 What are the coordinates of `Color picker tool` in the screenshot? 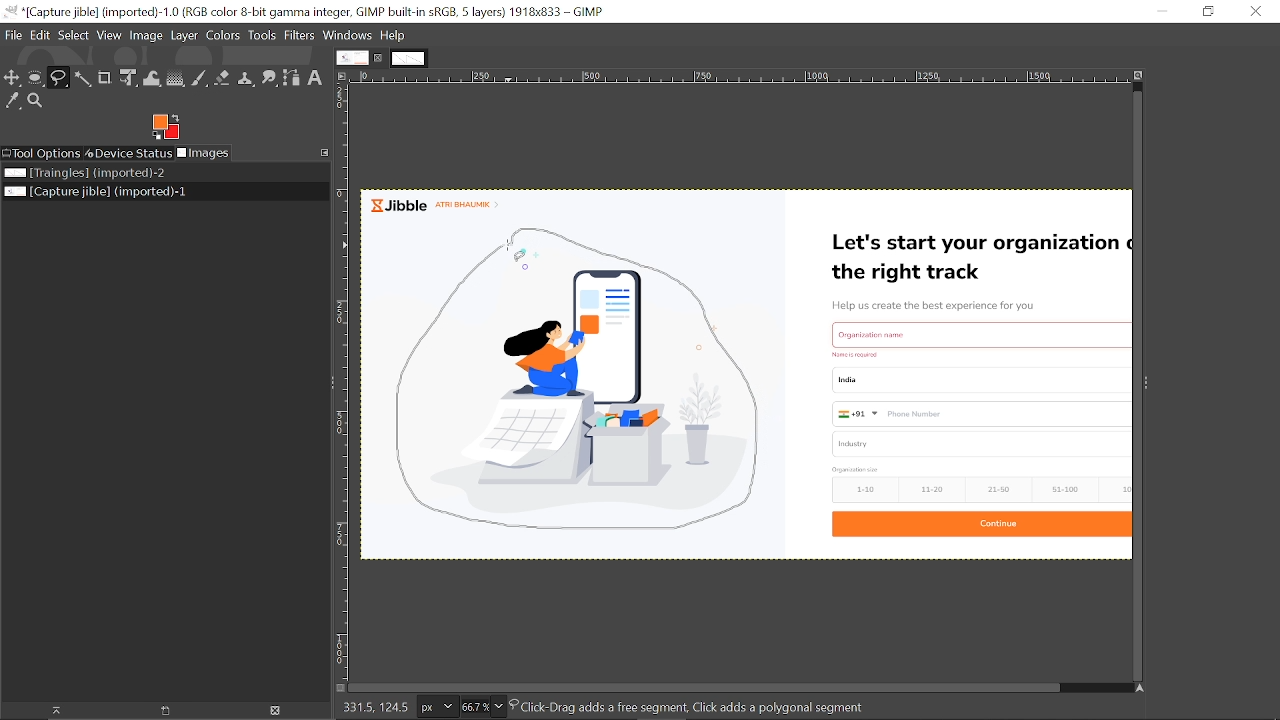 It's located at (12, 101).